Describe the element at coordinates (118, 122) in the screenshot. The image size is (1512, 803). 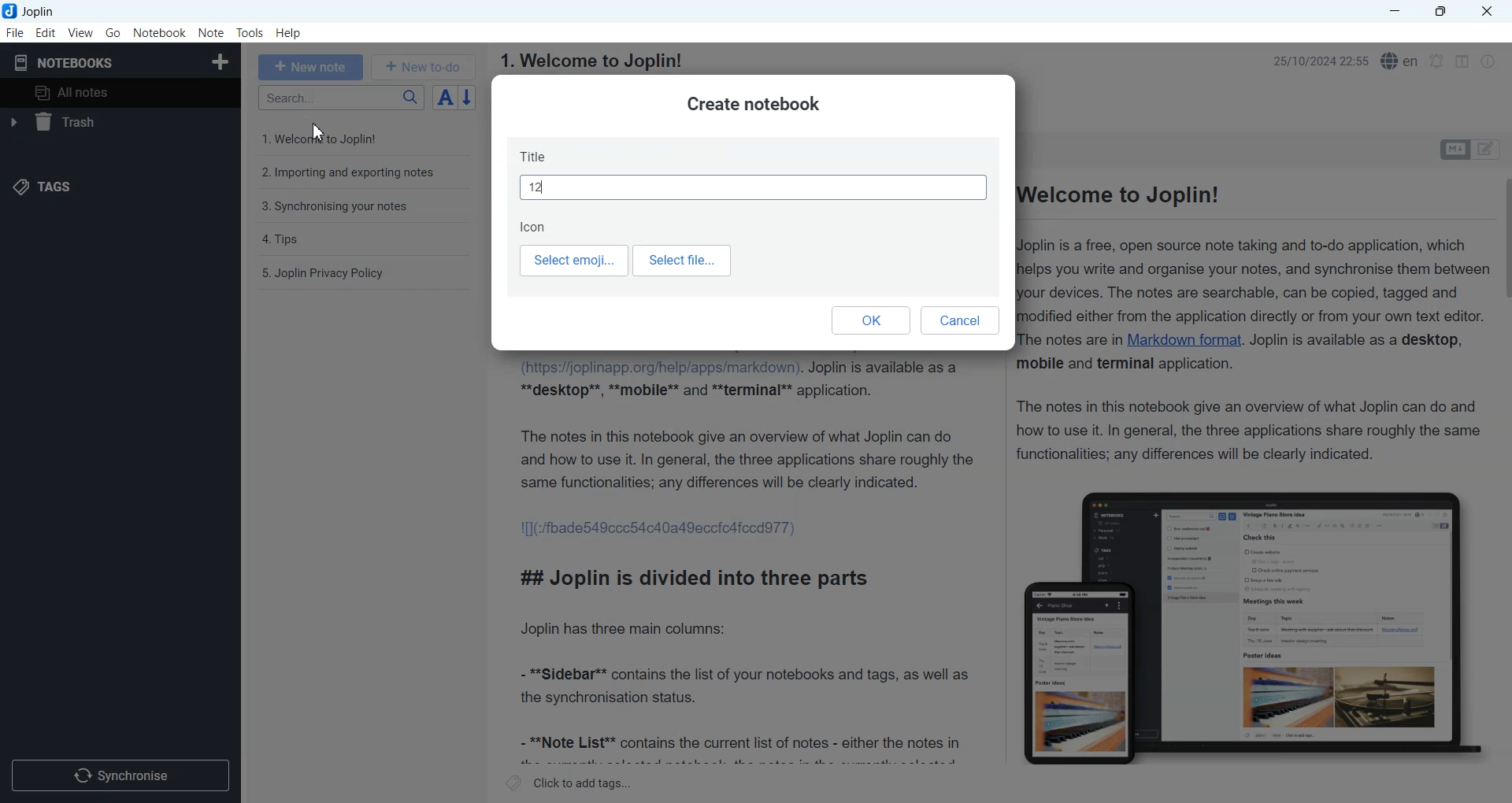
I see `Trash` at that location.